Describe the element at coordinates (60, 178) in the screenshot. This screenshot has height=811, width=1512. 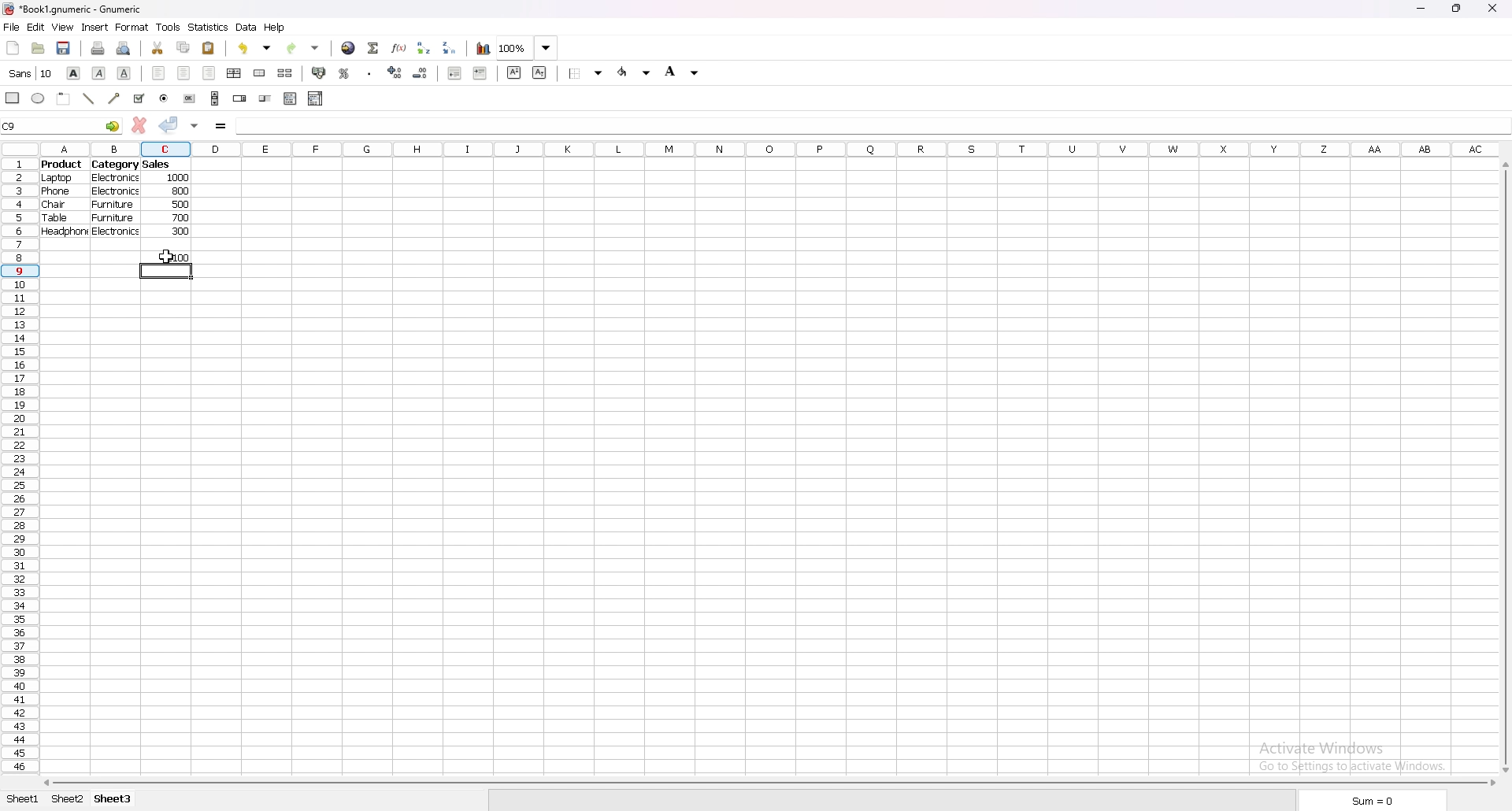
I see `laptop` at that location.